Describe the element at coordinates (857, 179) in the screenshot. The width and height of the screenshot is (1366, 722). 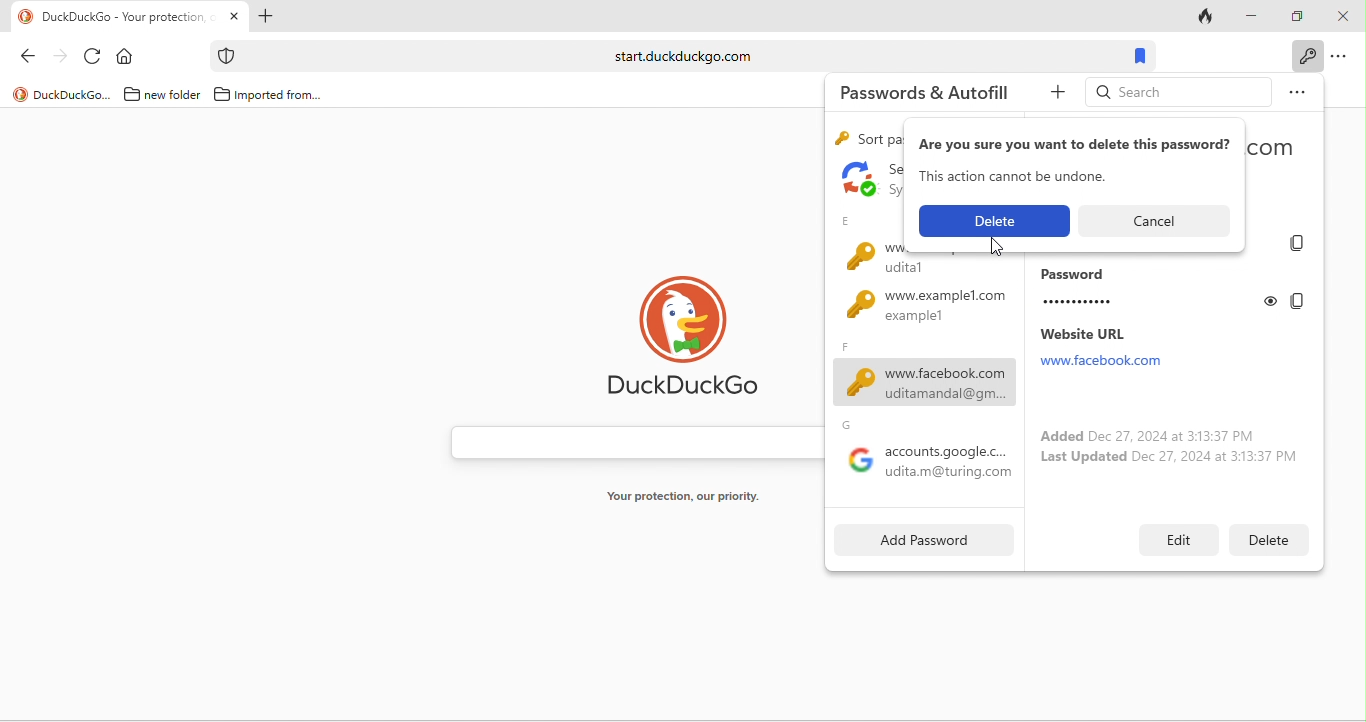
I see `icon` at that location.